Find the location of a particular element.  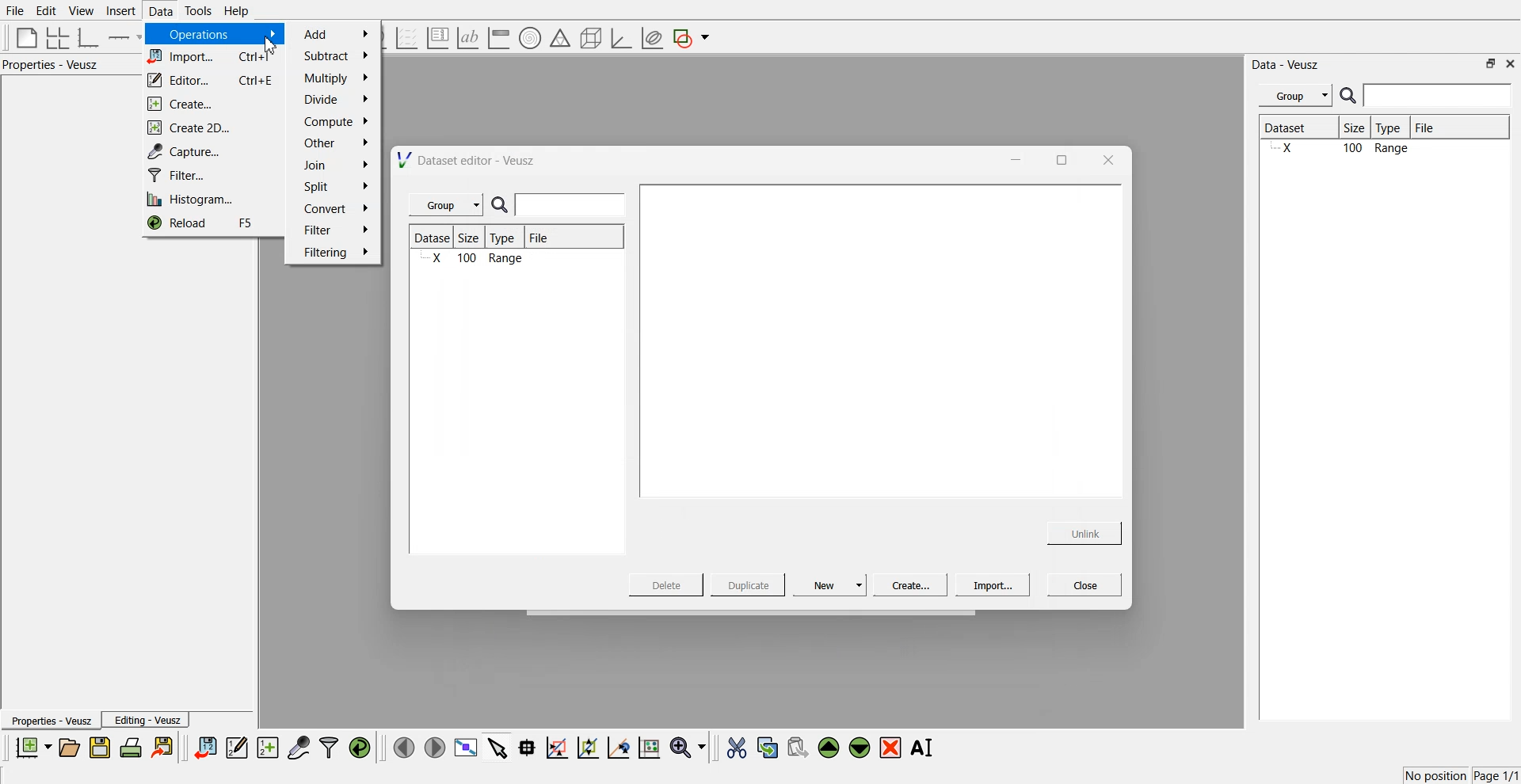

enter search field is located at coordinates (573, 205).